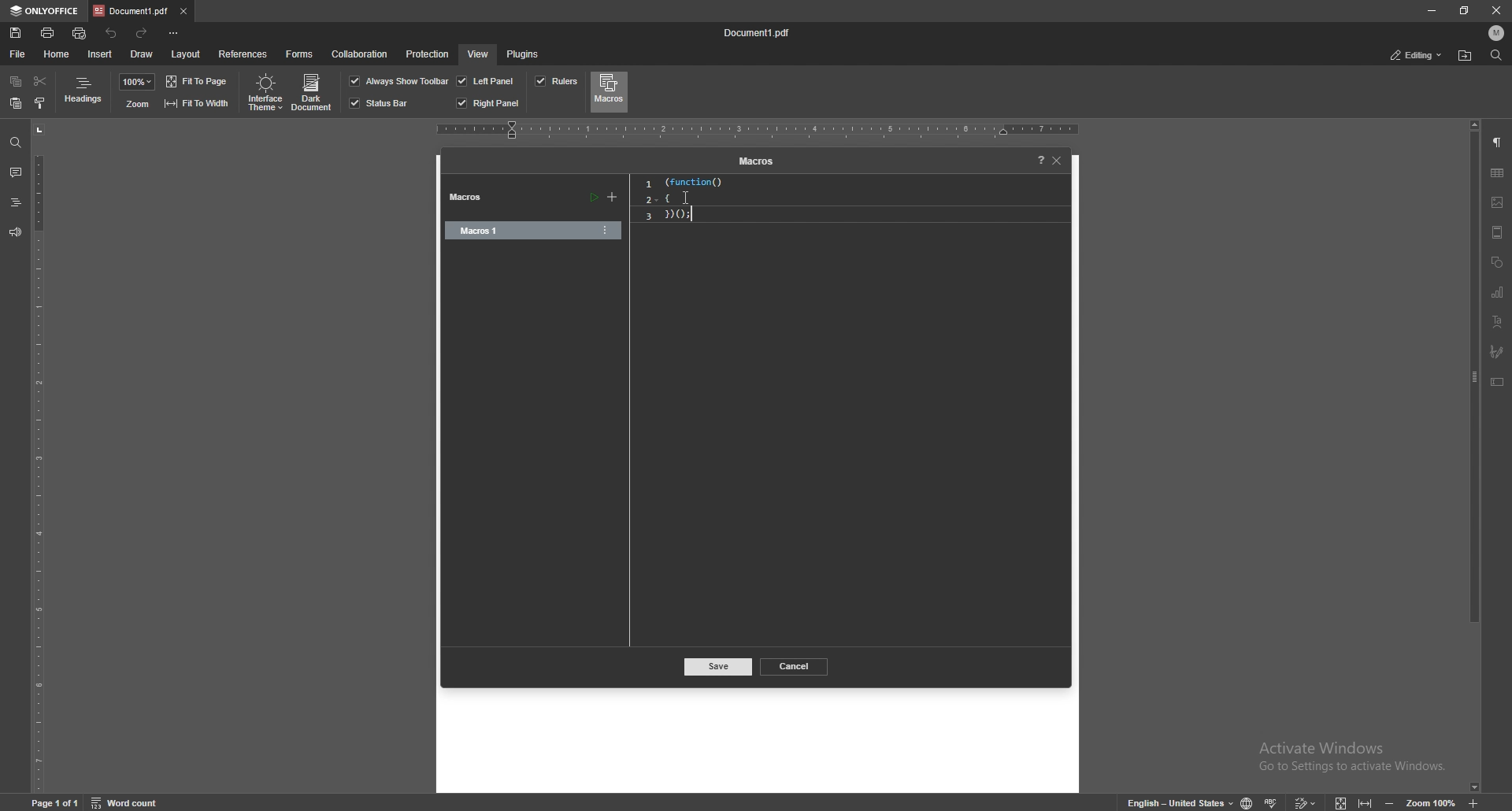 The height and width of the screenshot is (811, 1512). What do you see at coordinates (593, 198) in the screenshot?
I see `run macro` at bounding box center [593, 198].